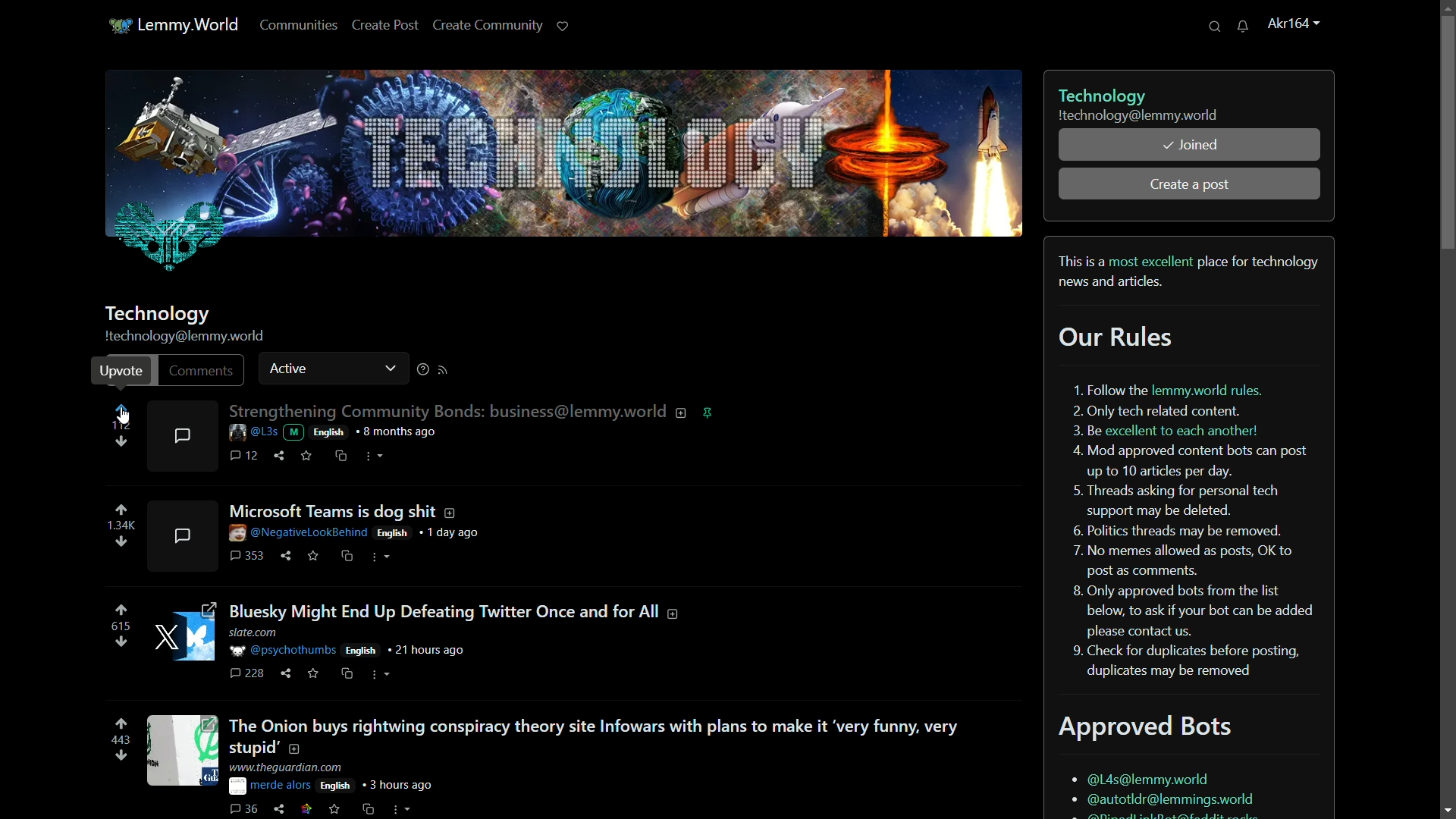 Image resolution: width=1456 pixels, height=819 pixels. What do you see at coordinates (124, 510) in the screenshot?
I see `upvote` at bounding box center [124, 510].